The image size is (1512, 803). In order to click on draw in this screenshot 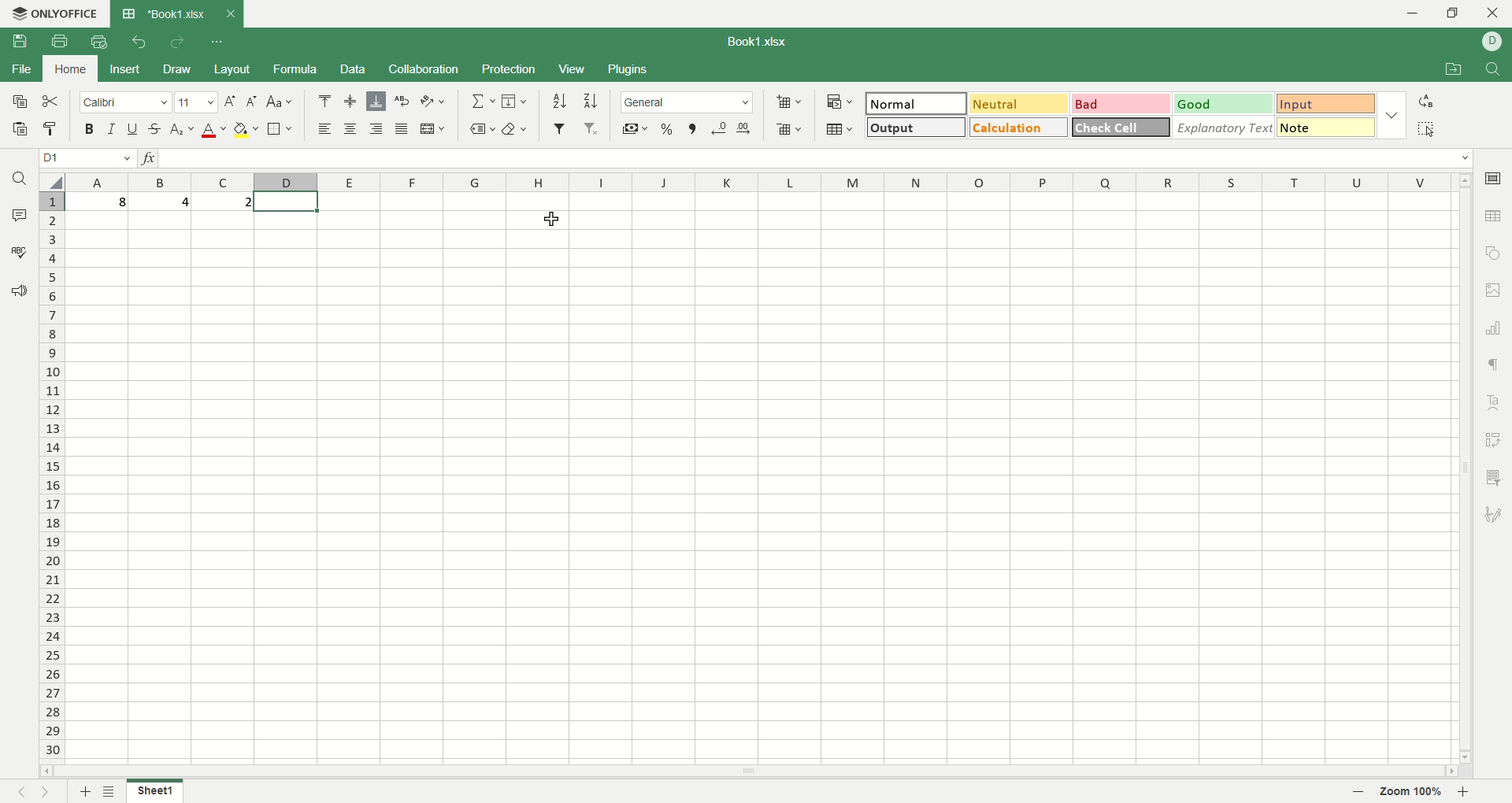, I will do `click(176, 68)`.